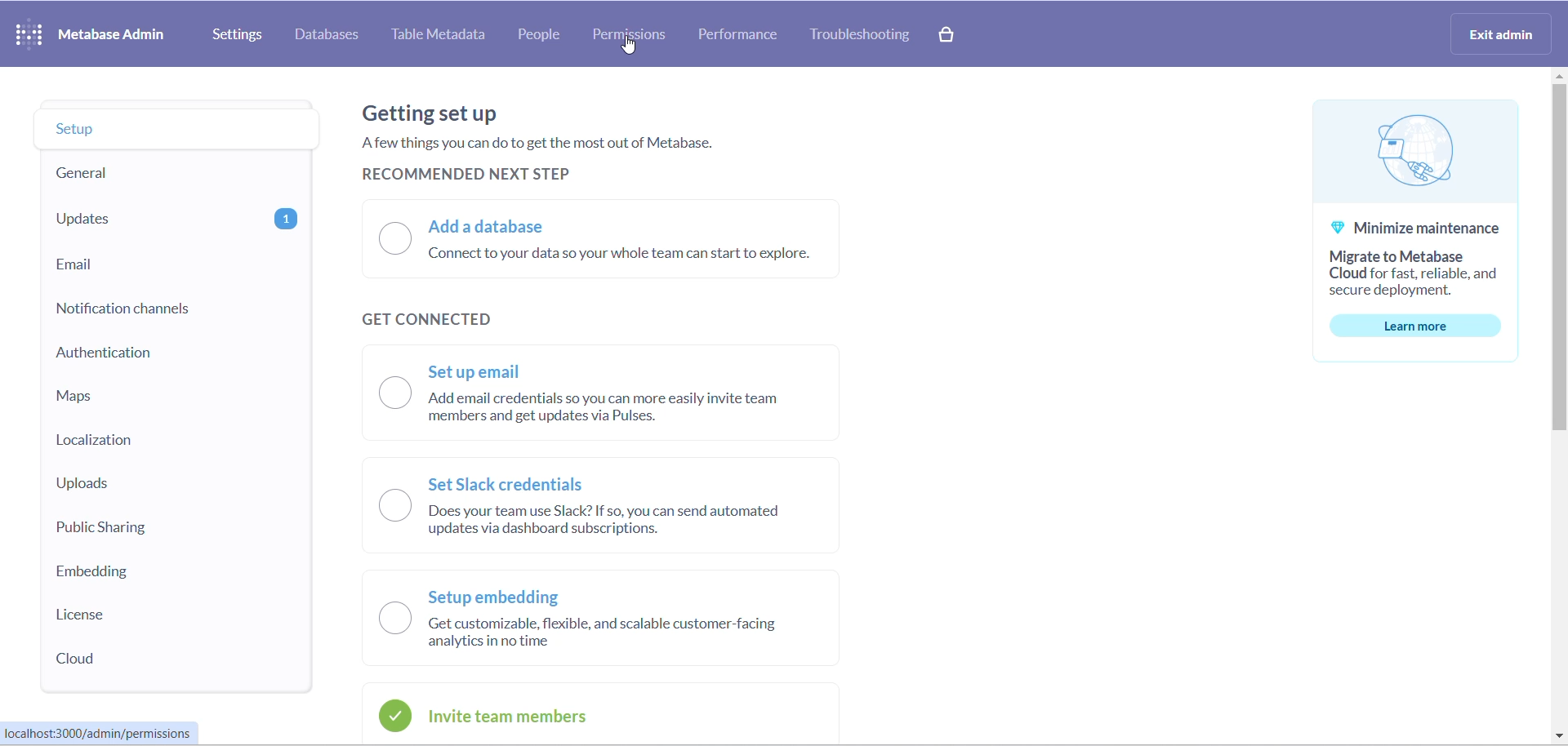 This screenshot has height=746, width=1568. Describe the element at coordinates (1558, 75) in the screenshot. I see `move up button` at that location.